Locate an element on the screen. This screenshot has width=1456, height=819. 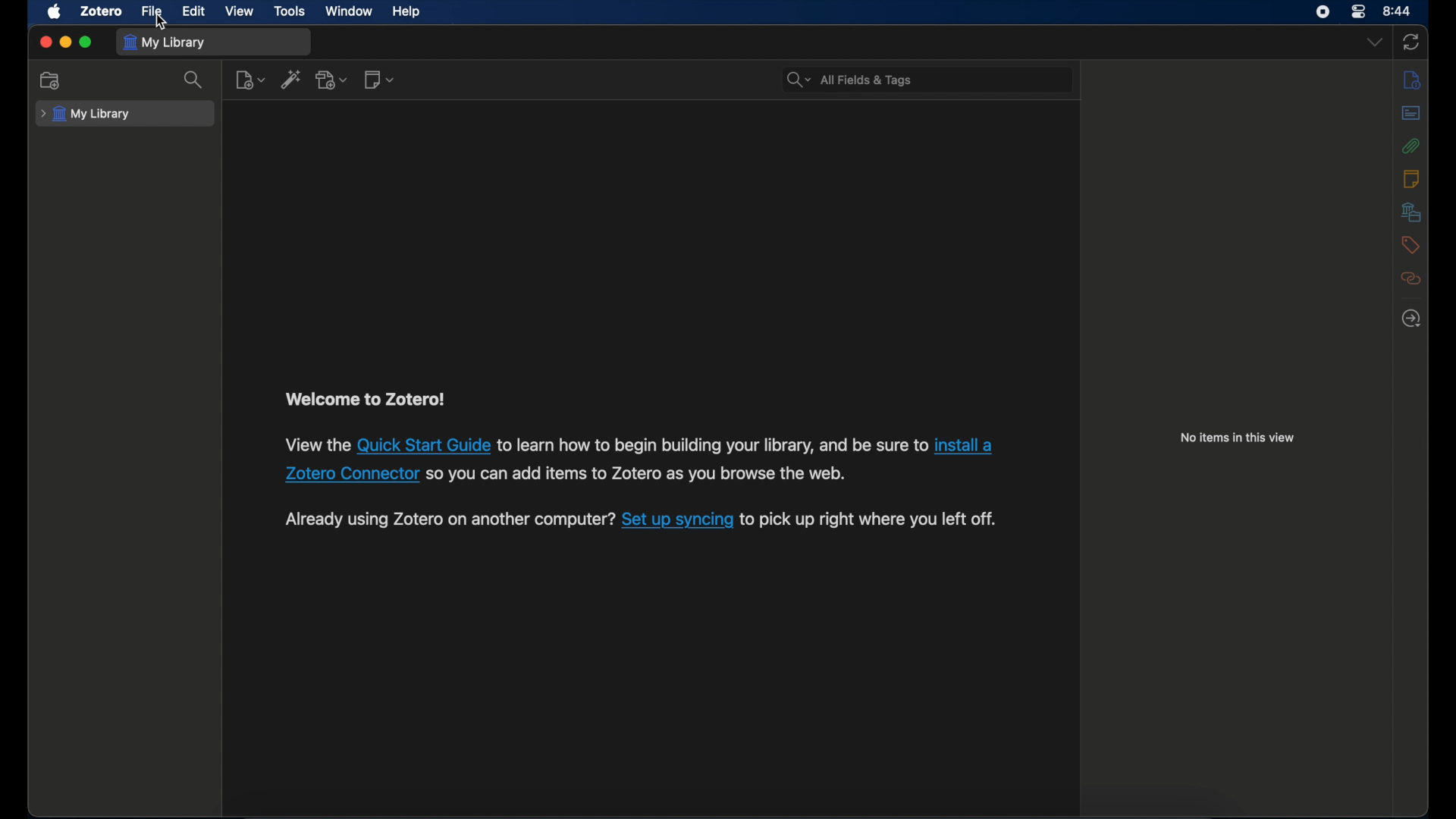
file is located at coordinates (151, 11).